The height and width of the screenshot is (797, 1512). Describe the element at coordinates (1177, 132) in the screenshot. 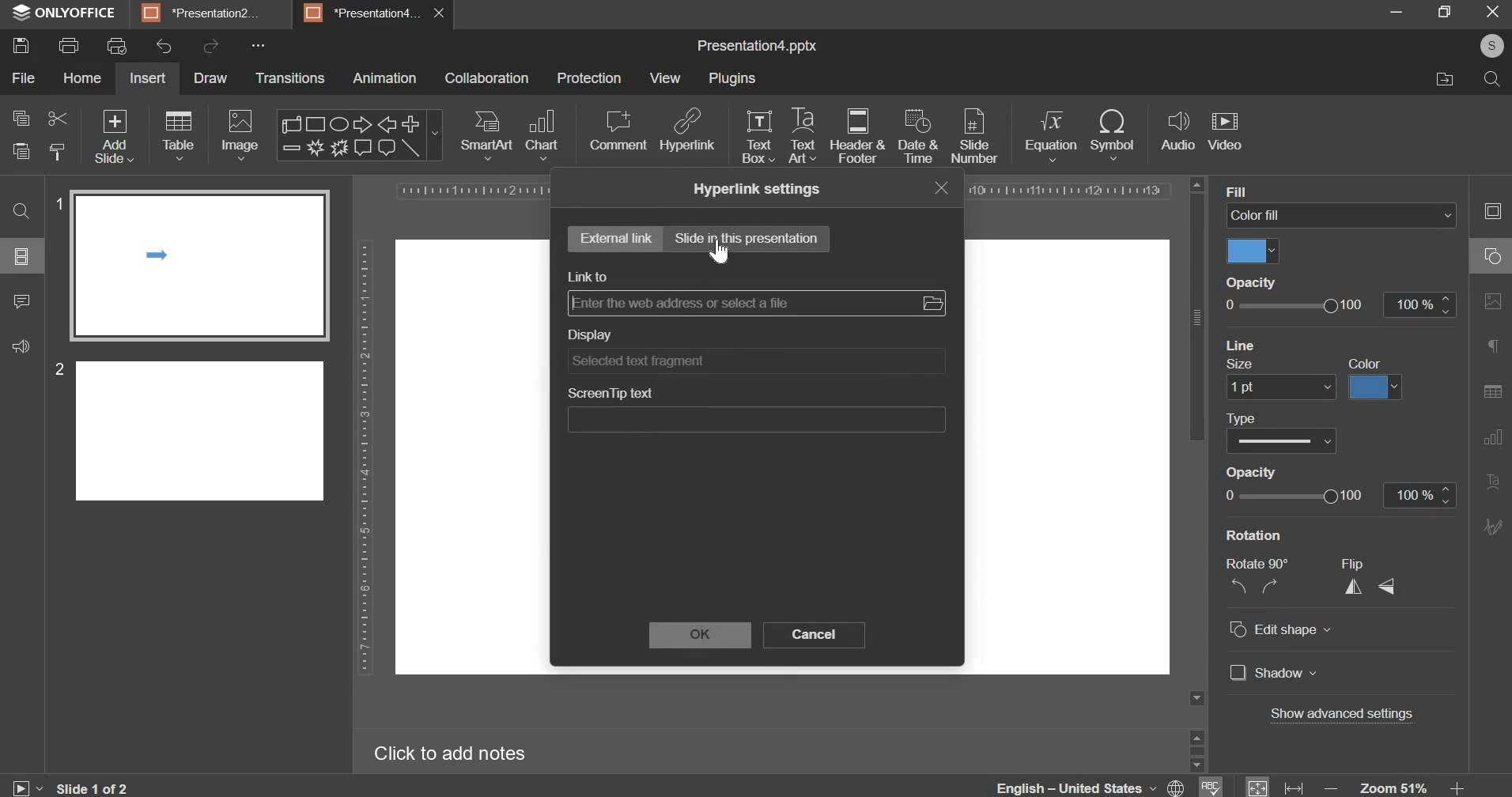

I see `audio` at that location.